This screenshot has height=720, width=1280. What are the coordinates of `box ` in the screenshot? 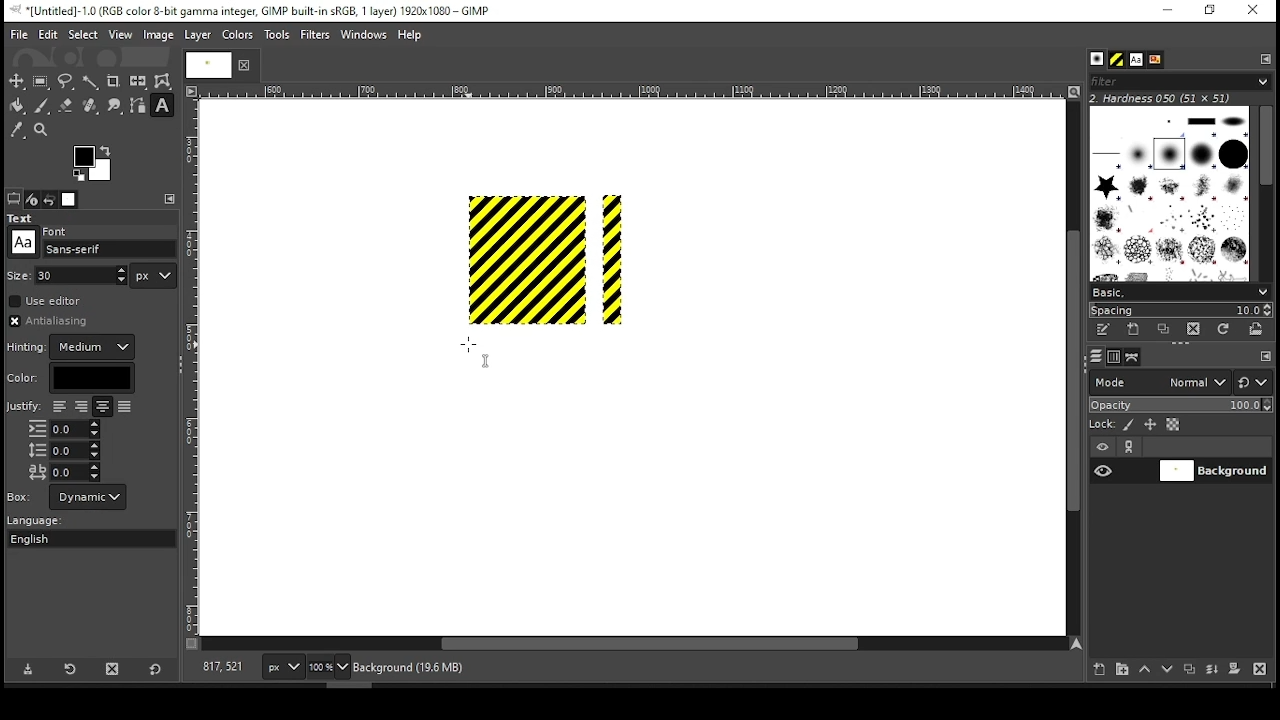 It's located at (88, 497).